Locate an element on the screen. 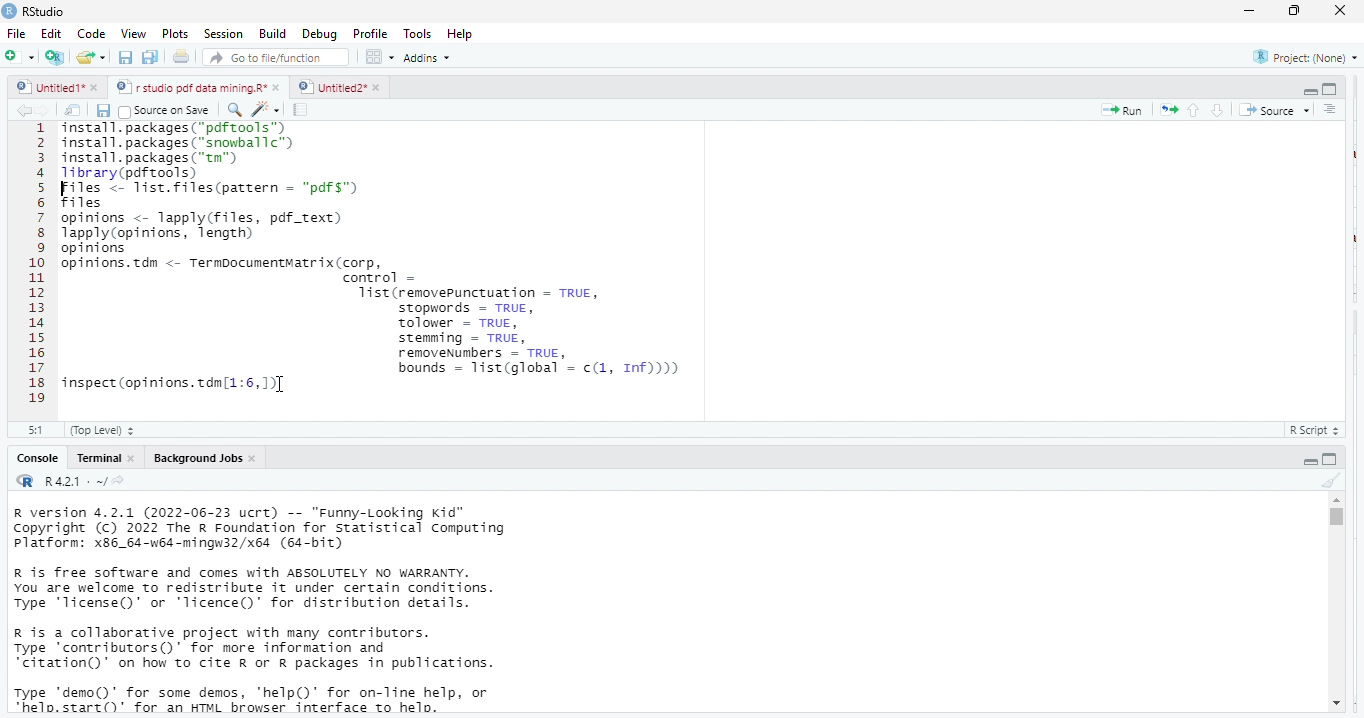 The image size is (1364, 718). go to file /function is located at coordinates (272, 56).